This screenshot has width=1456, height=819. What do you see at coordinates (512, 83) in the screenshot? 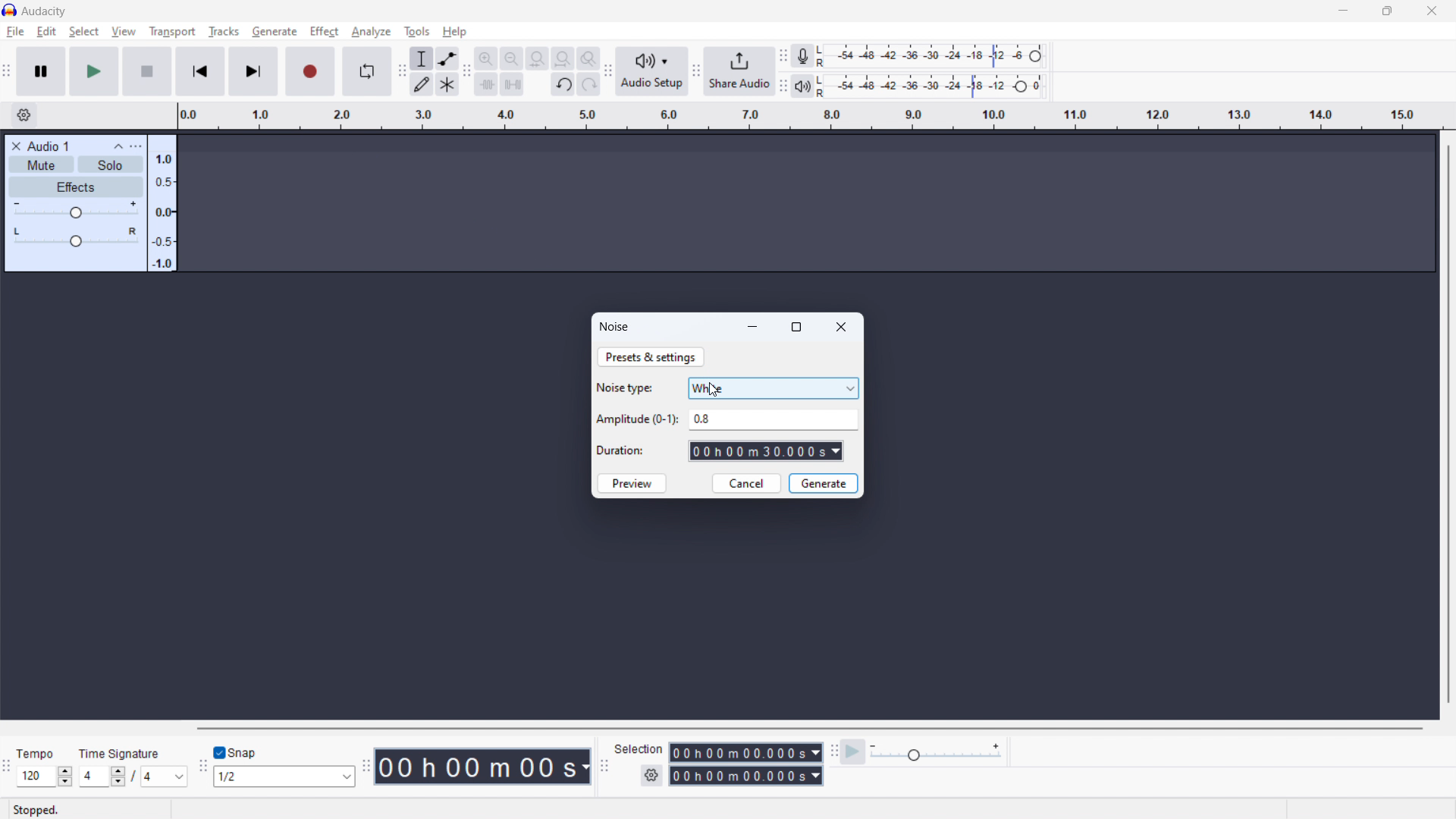
I see `silence audio selection` at bounding box center [512, 83].